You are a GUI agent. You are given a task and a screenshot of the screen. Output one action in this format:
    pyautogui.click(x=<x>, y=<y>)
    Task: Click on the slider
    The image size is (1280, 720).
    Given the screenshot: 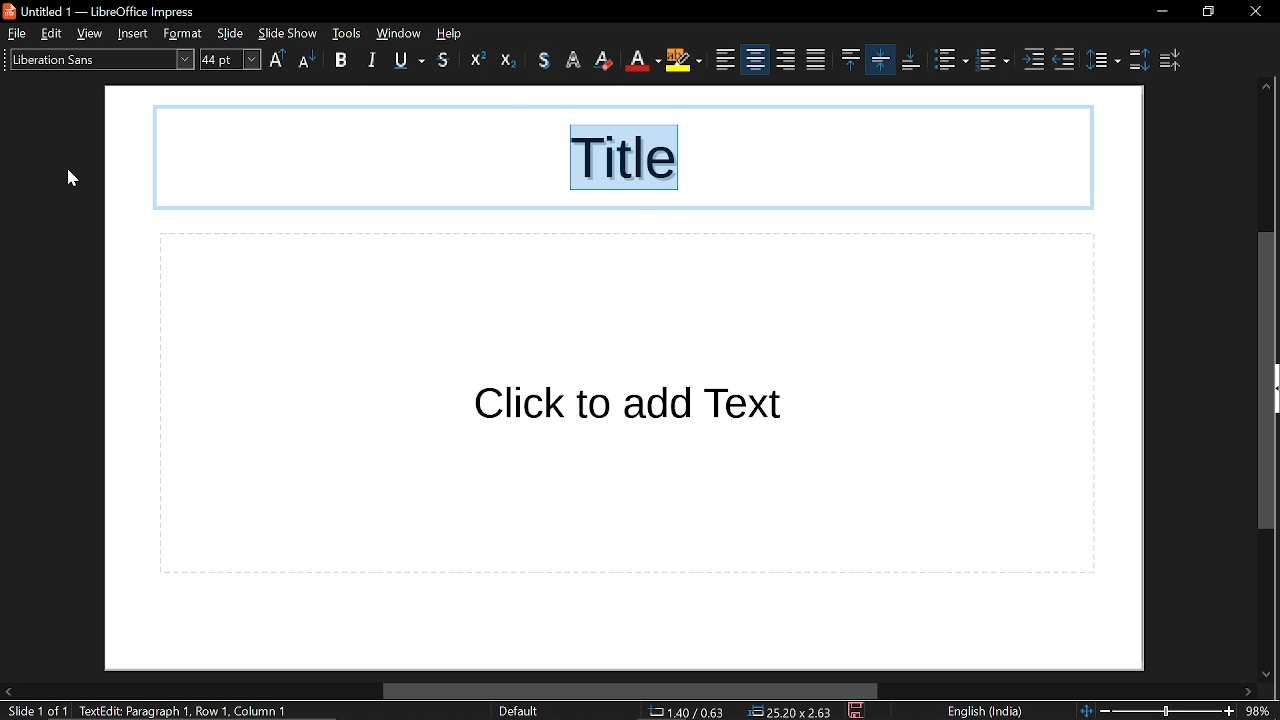 What is the action you would take?
    pyautogui.click(x=1167, y=709)
    